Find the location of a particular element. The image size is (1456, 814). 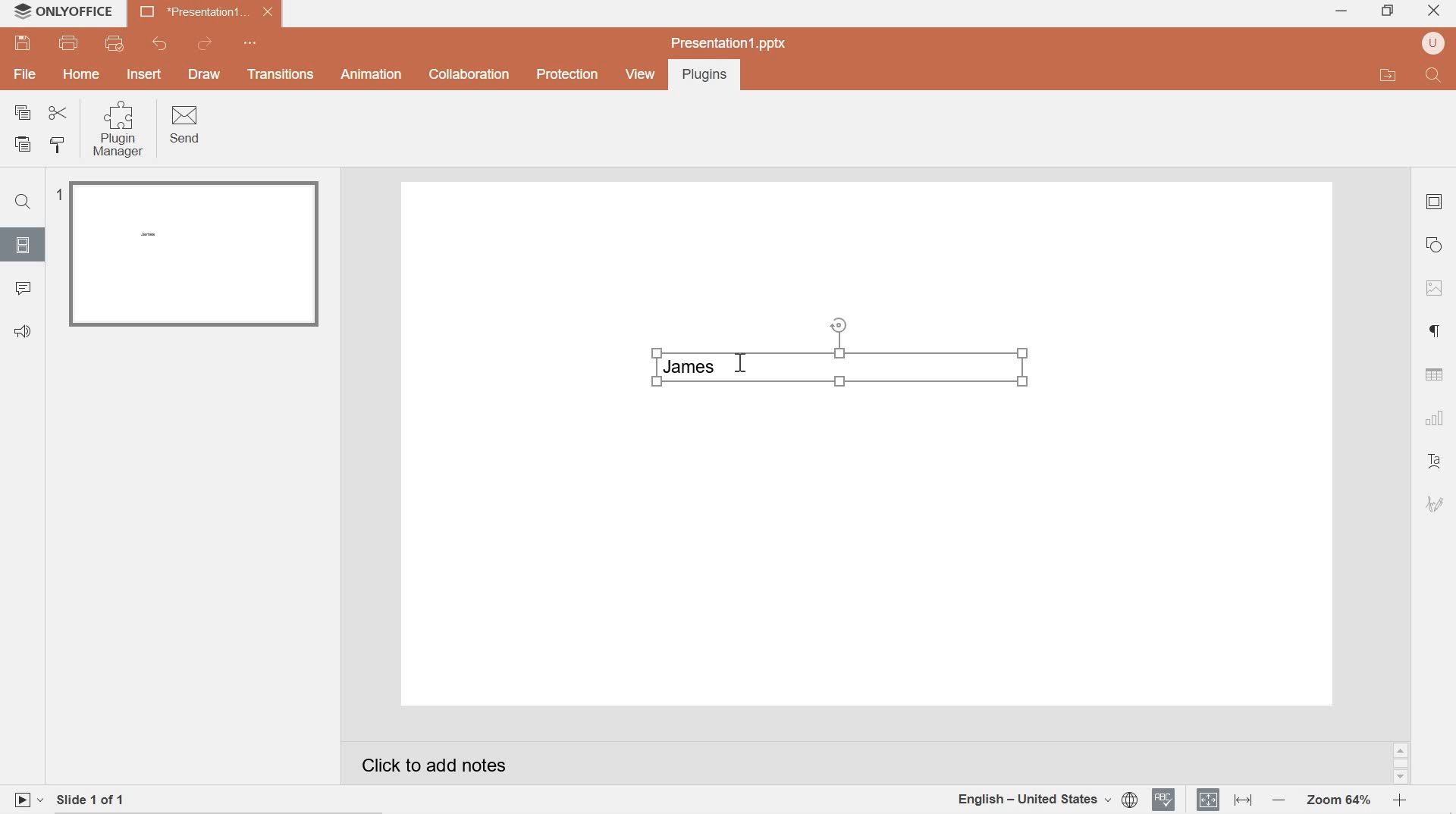

shape settings is located at coordinates (1436, 244).